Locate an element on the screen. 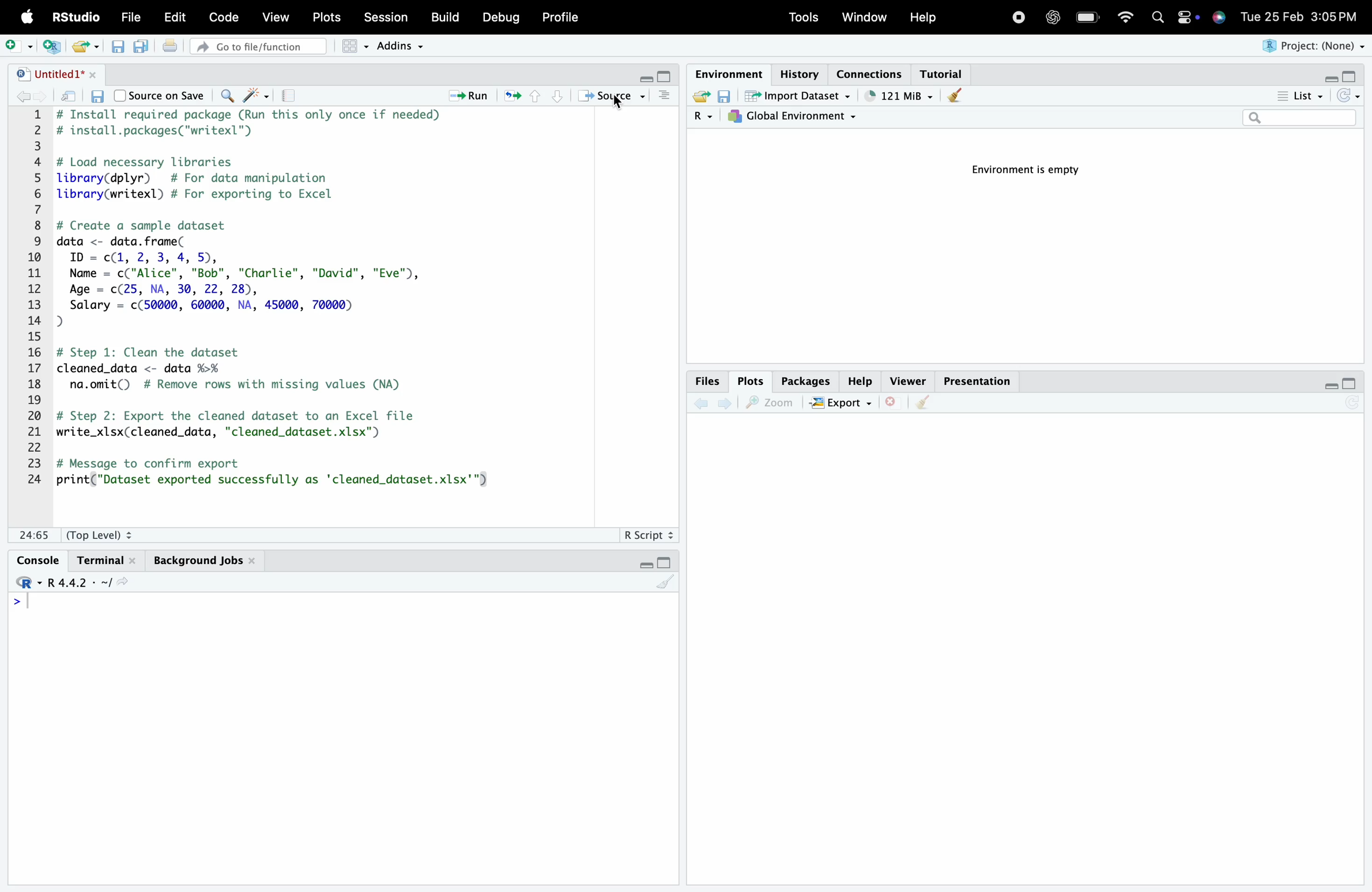  Source on Save is located at coordinates (160, 95).